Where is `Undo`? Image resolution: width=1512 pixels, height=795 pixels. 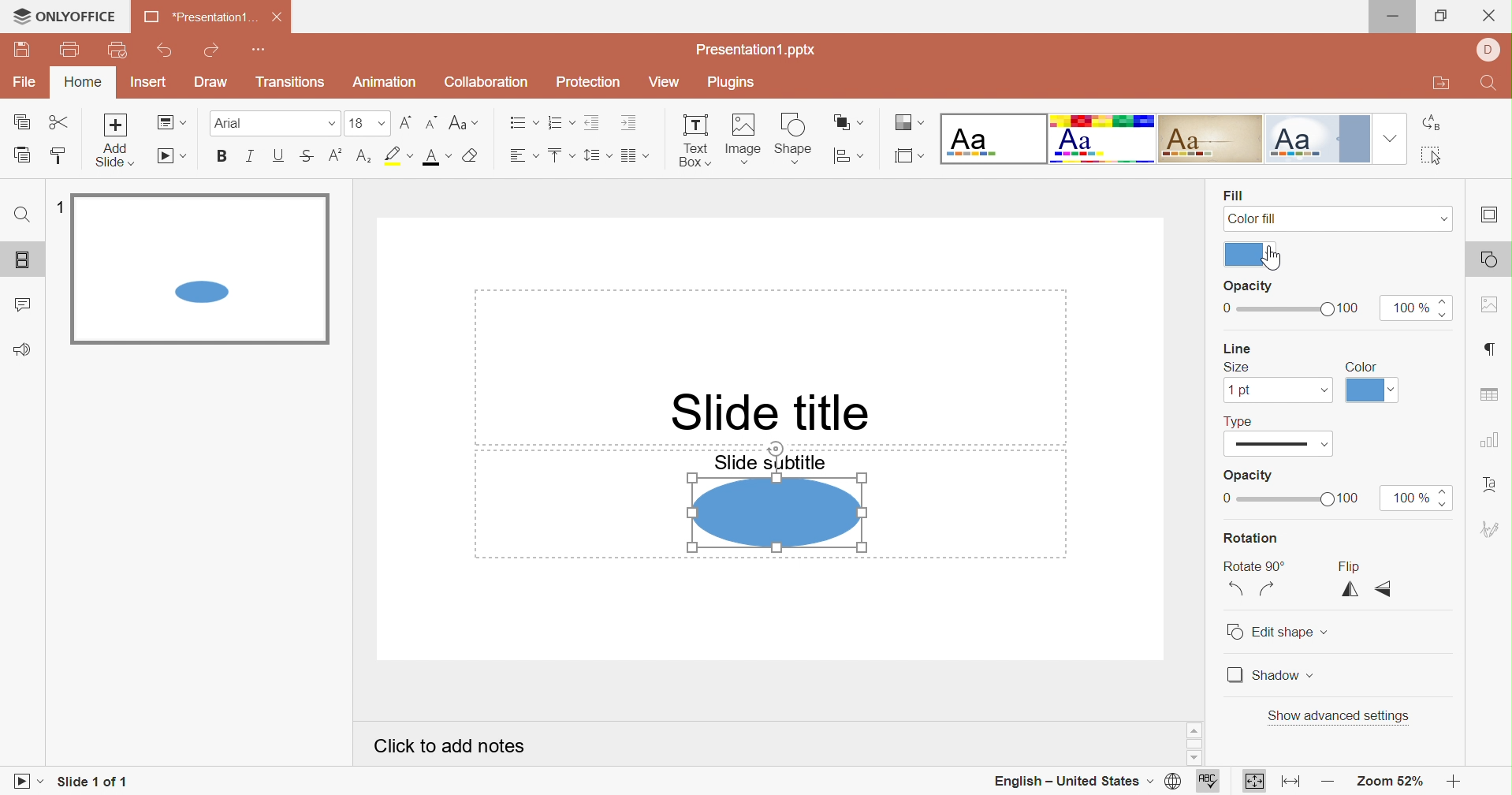
Undo is located at coordinates (166, 54).